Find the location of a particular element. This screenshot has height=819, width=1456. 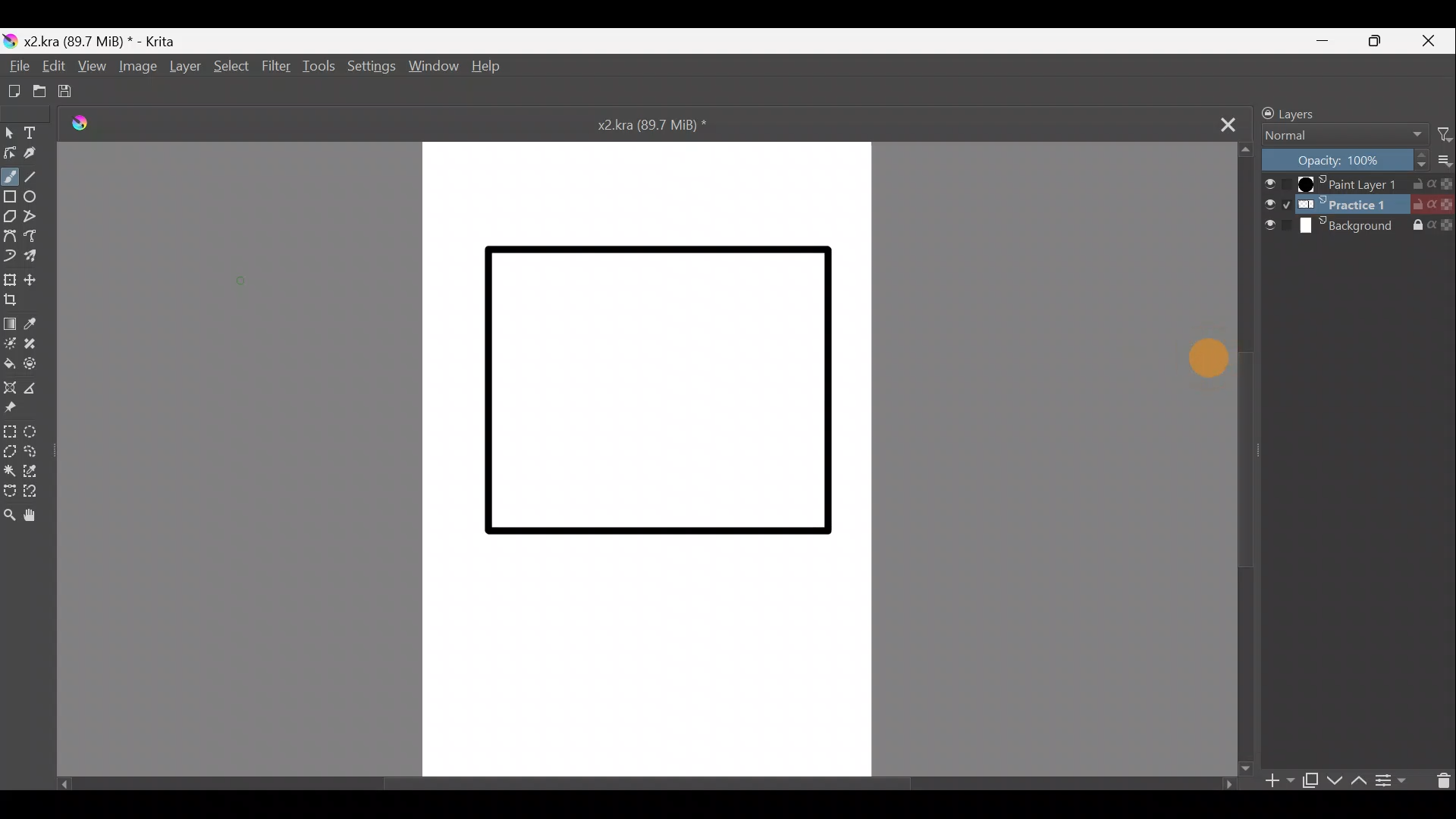

Delete layer/mask is located at coordinates (1439, 779).